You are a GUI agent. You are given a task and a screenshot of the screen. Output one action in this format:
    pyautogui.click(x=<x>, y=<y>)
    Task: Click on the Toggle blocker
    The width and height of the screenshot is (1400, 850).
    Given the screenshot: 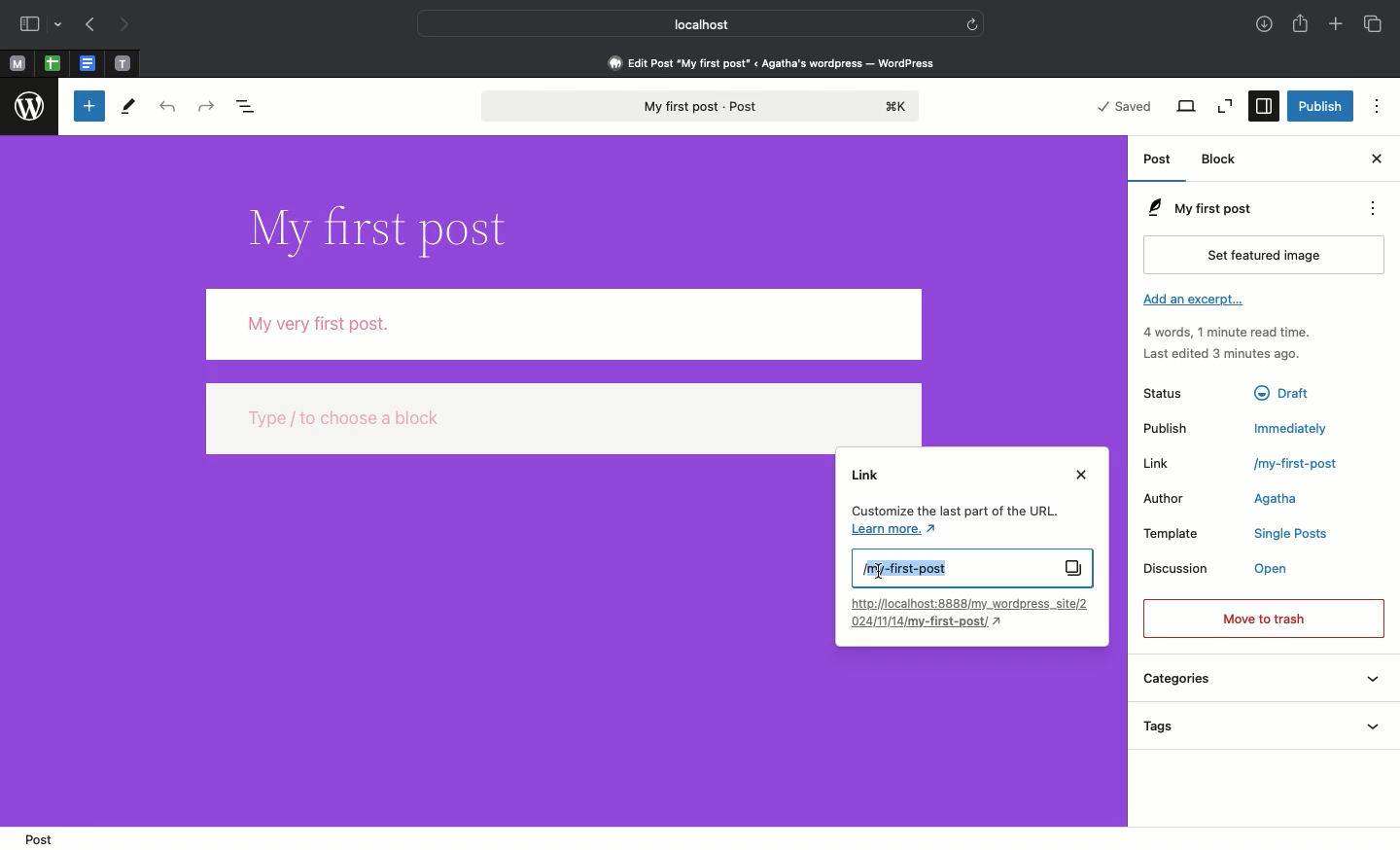 What is the action you would take?
    pyautogui.click(x=89, y=105)
    